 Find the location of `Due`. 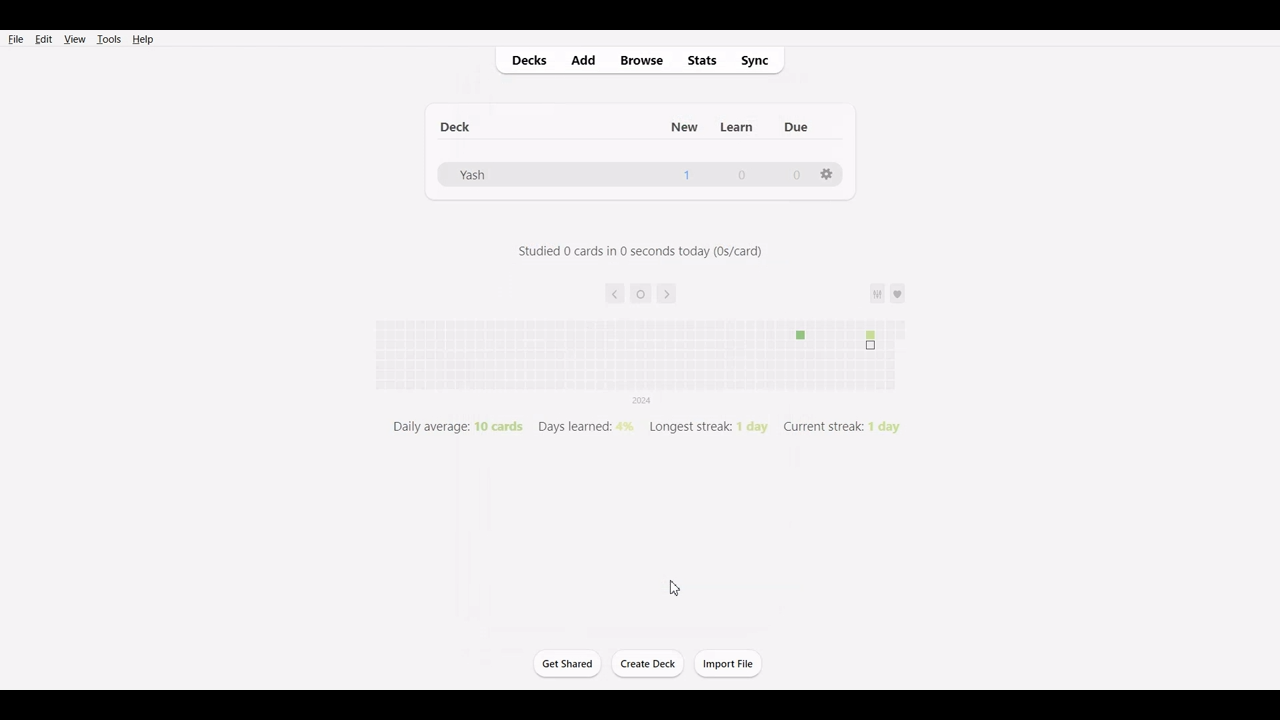

Due is located at coordinates (802, 123).